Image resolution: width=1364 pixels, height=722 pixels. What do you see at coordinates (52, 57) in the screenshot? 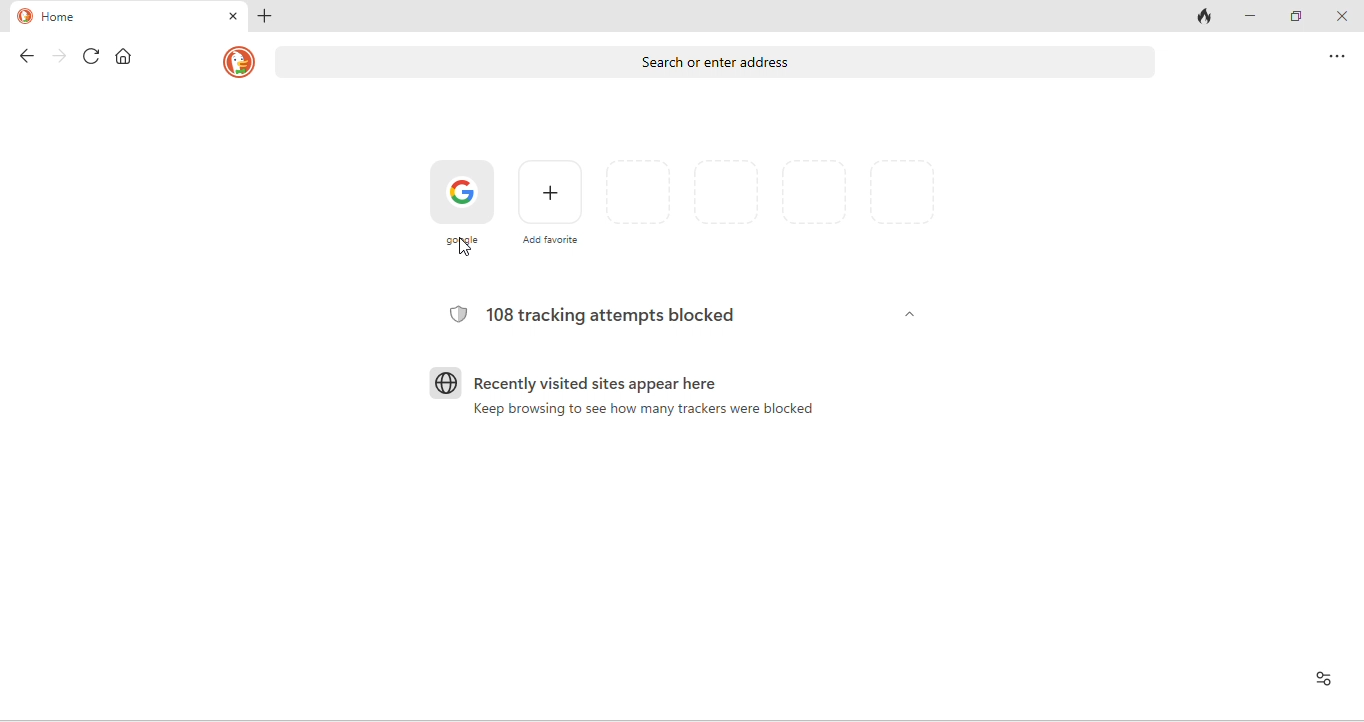
I see `forward` at bounding box center [52, 57].